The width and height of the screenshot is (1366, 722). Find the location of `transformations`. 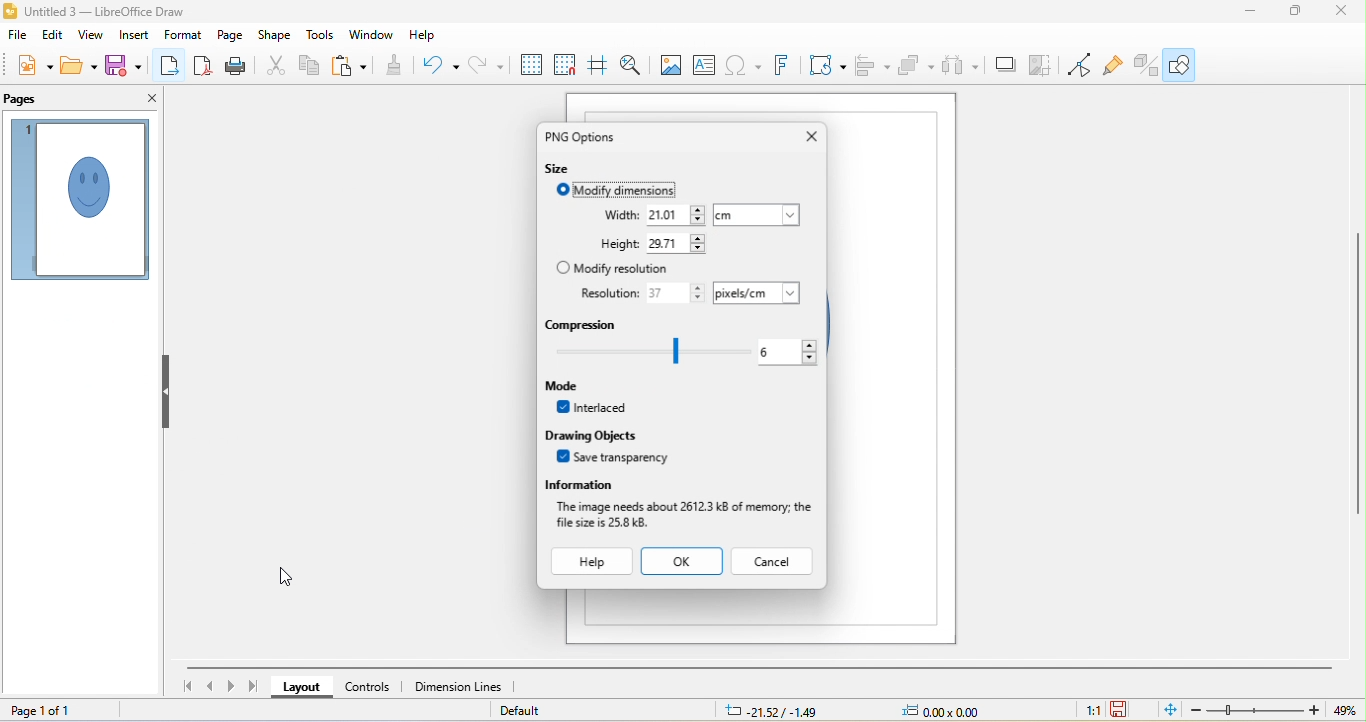

transformations is located at coordinates (827, 67).